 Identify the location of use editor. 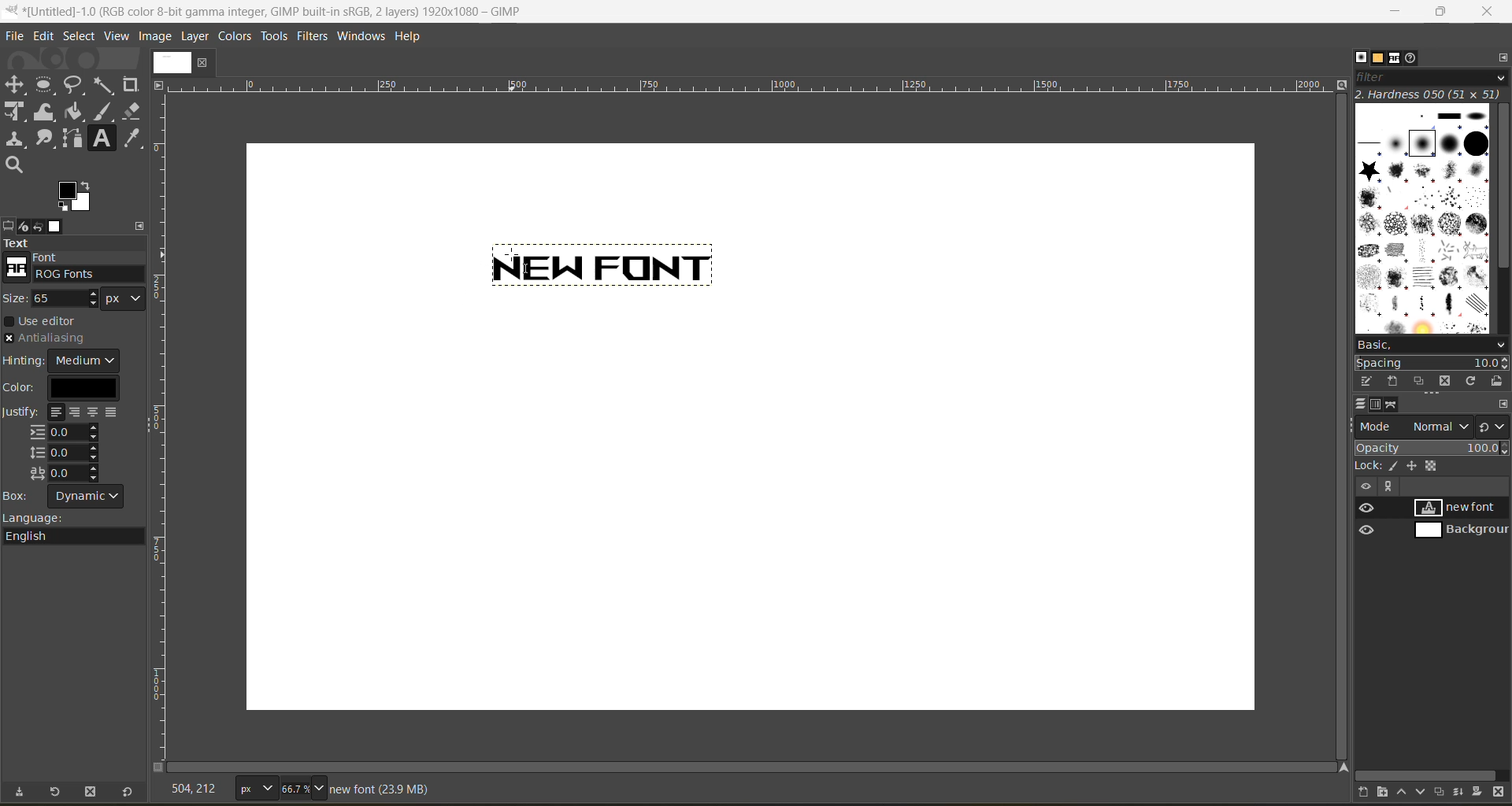
(48, 321).